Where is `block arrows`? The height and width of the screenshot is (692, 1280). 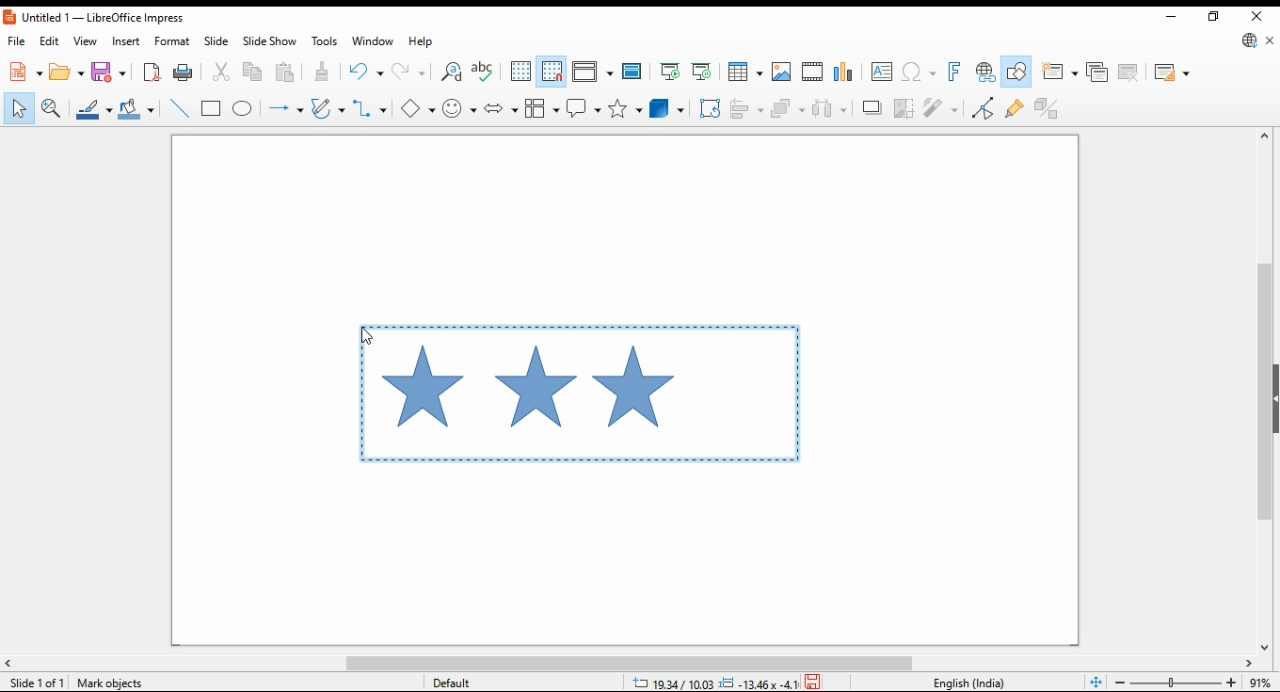
block arrows is located at coordinates (500, 107).